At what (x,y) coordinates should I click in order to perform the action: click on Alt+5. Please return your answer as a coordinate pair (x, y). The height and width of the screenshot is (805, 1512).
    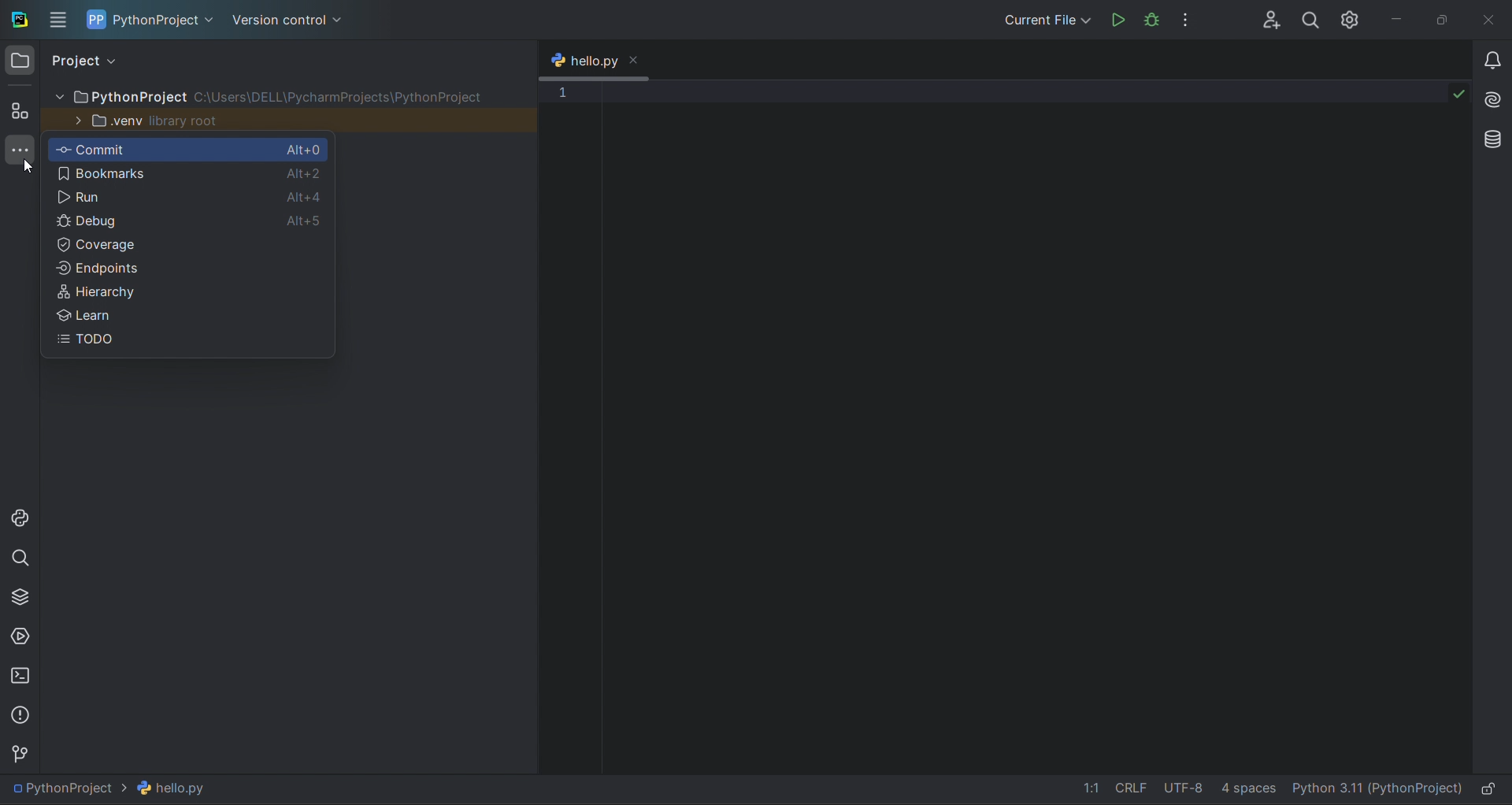
    Looking at the image, I should click on (305, 219).